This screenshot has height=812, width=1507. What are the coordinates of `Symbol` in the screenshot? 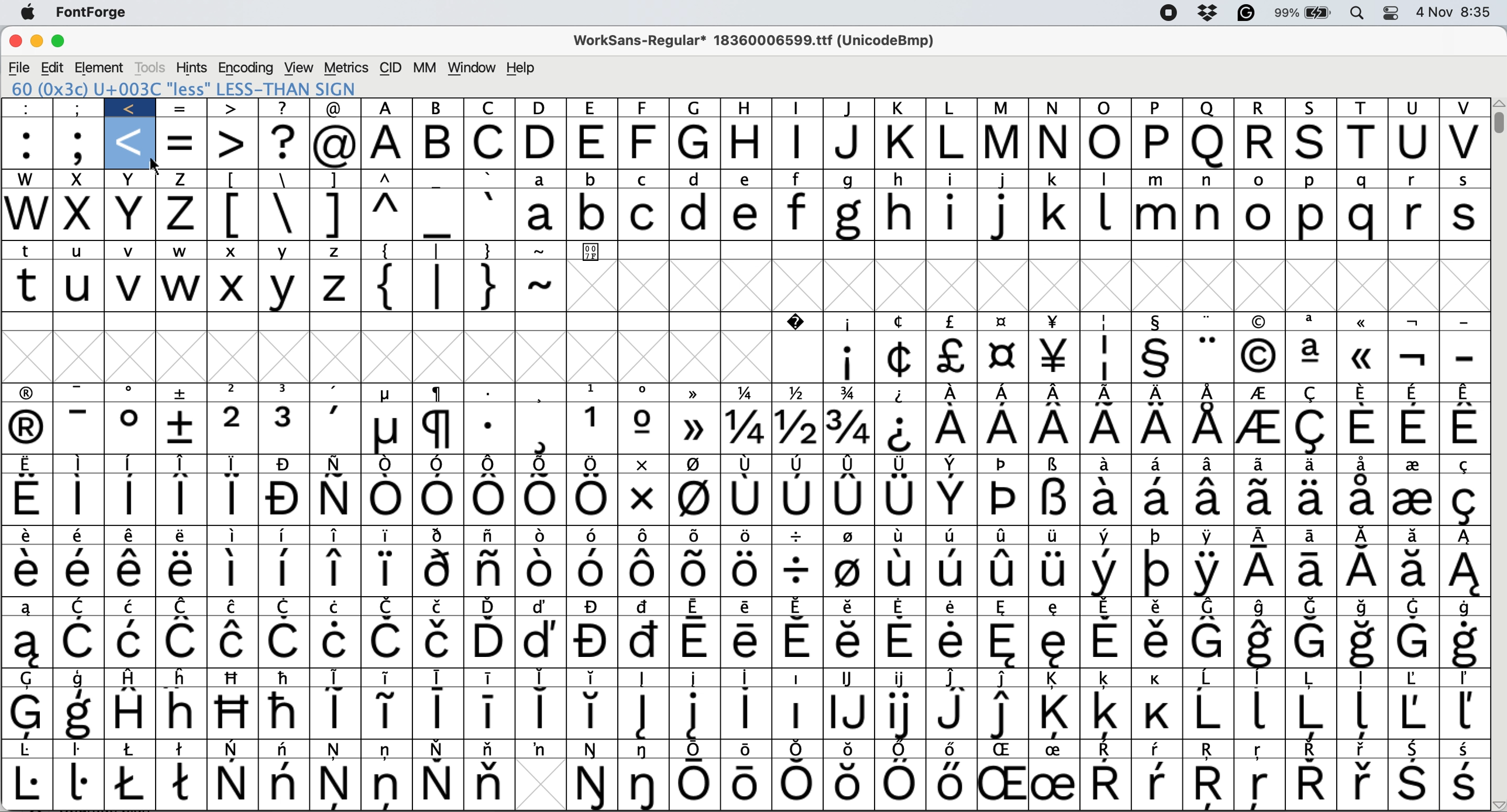 It's located at (285, 783).